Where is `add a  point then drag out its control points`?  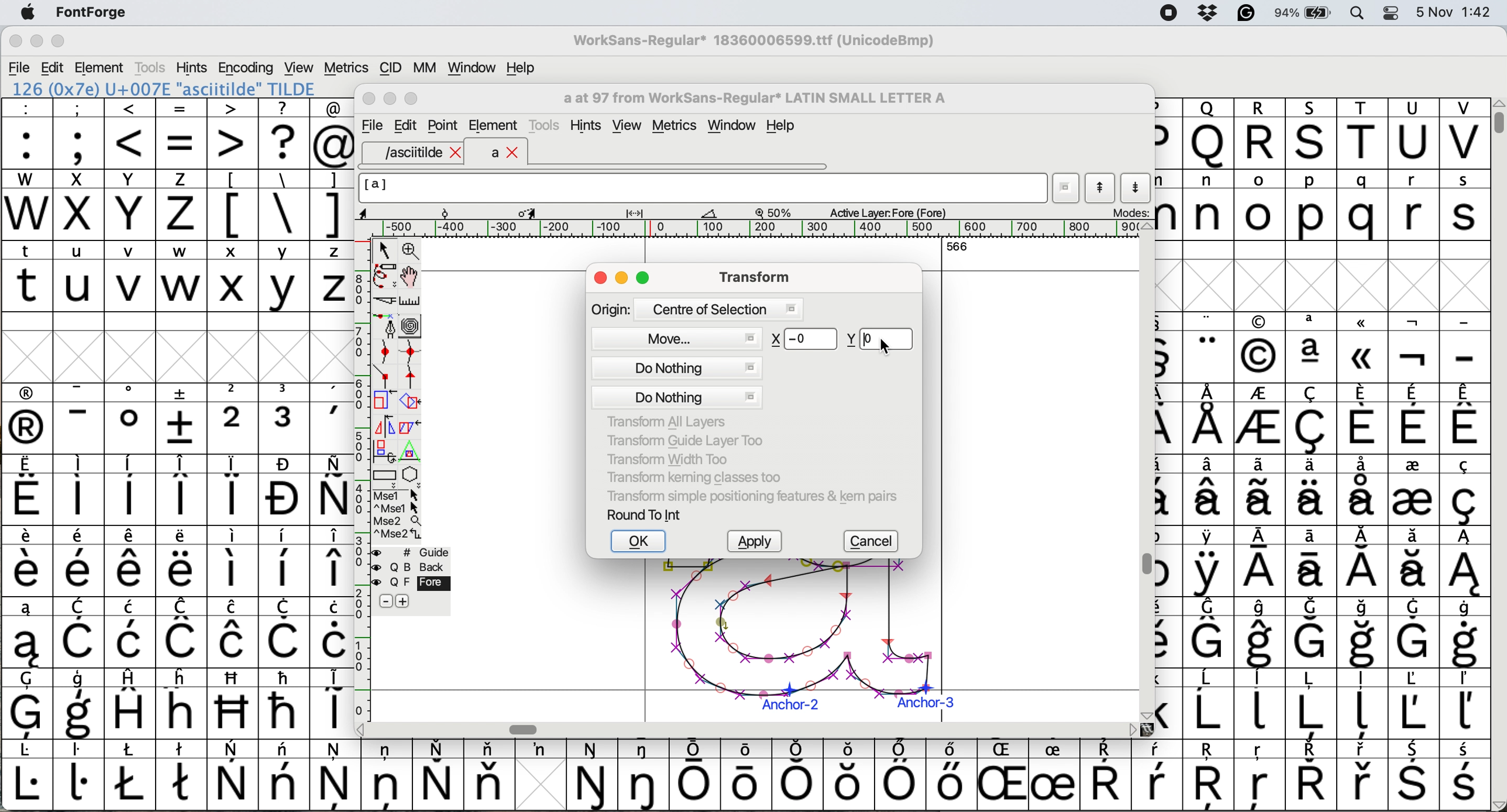
add a  point then drag out its control points is located at coordinates (386, 325).